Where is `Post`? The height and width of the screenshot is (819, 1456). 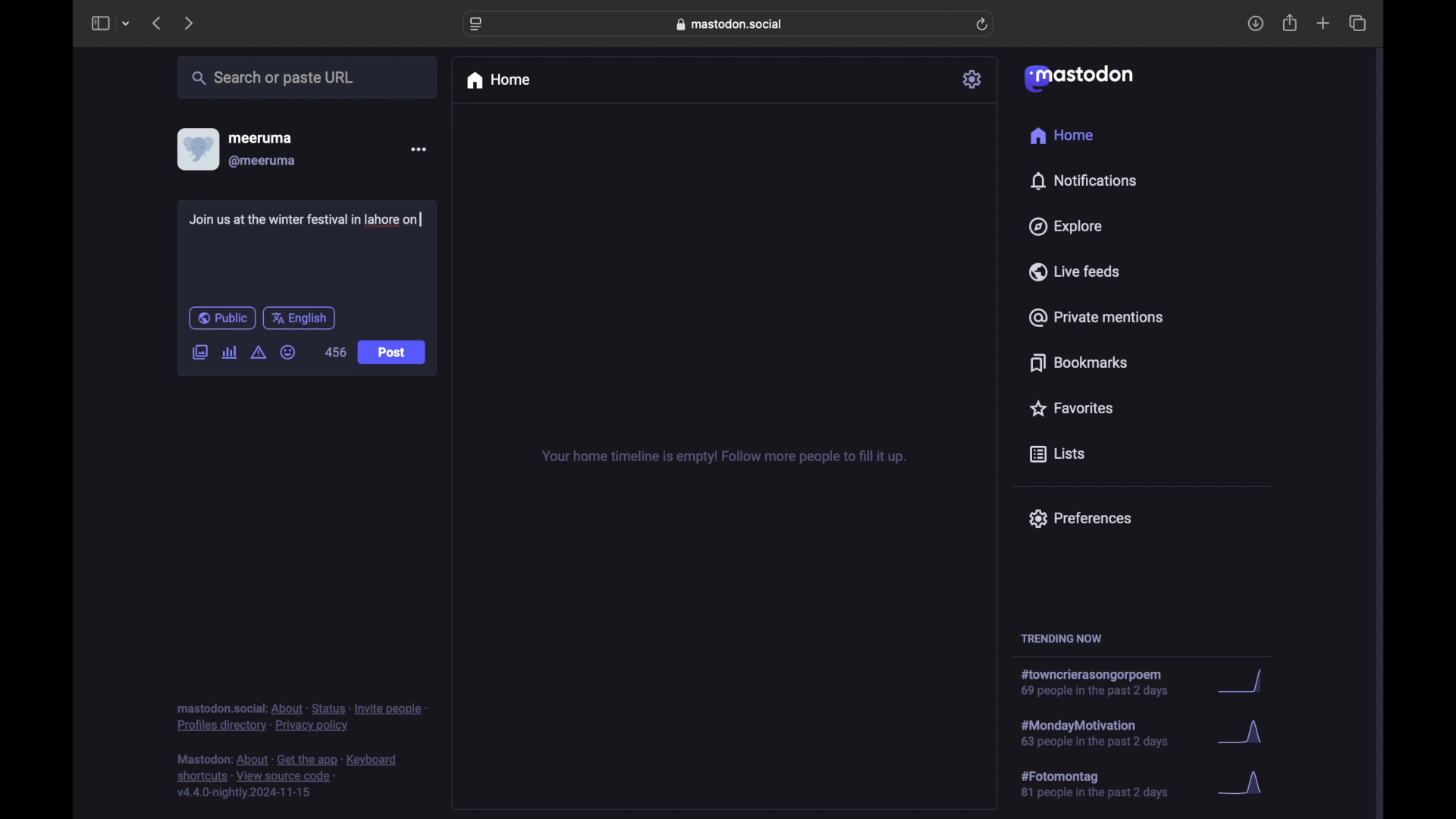 Post is located at coordinates (393, 353).